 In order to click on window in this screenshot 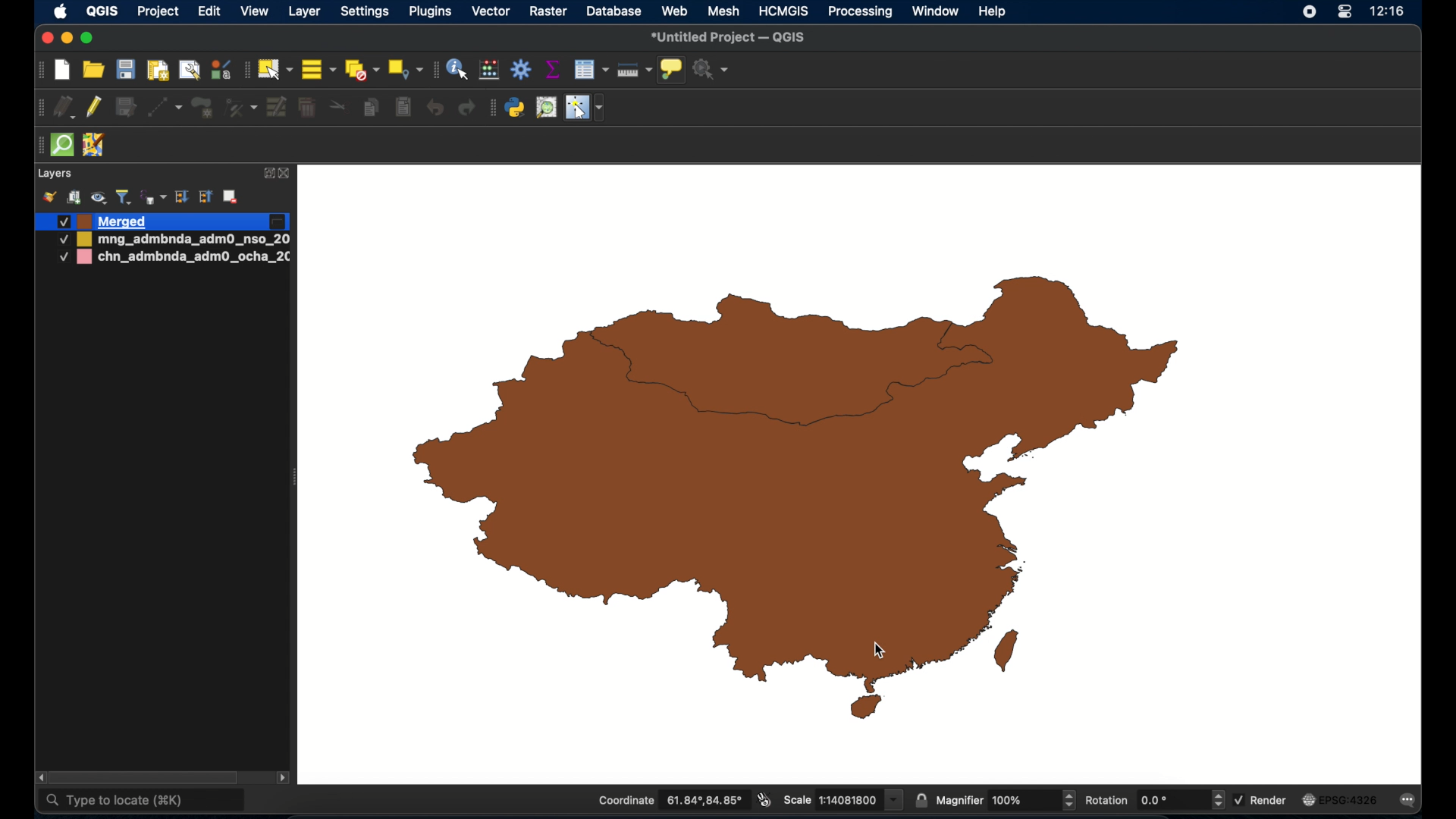, I will do `click(935, 11)`.